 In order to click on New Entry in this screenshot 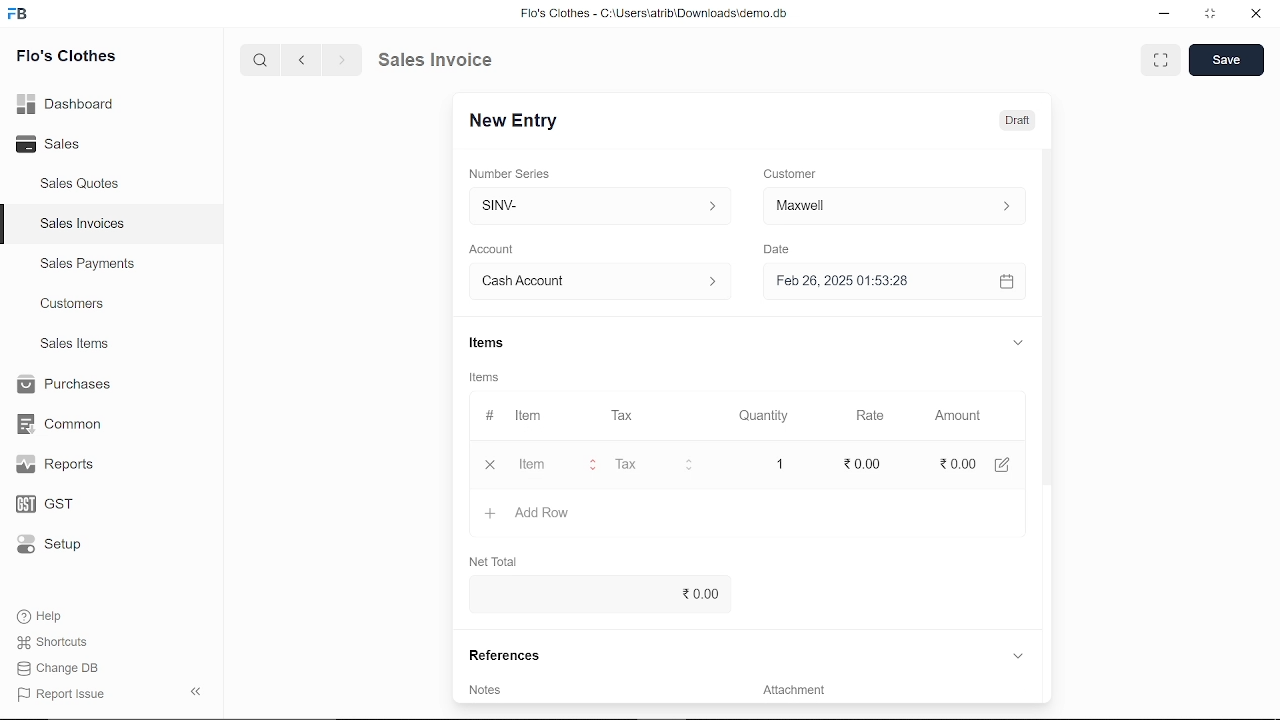, I will do `click(521, 121)`.